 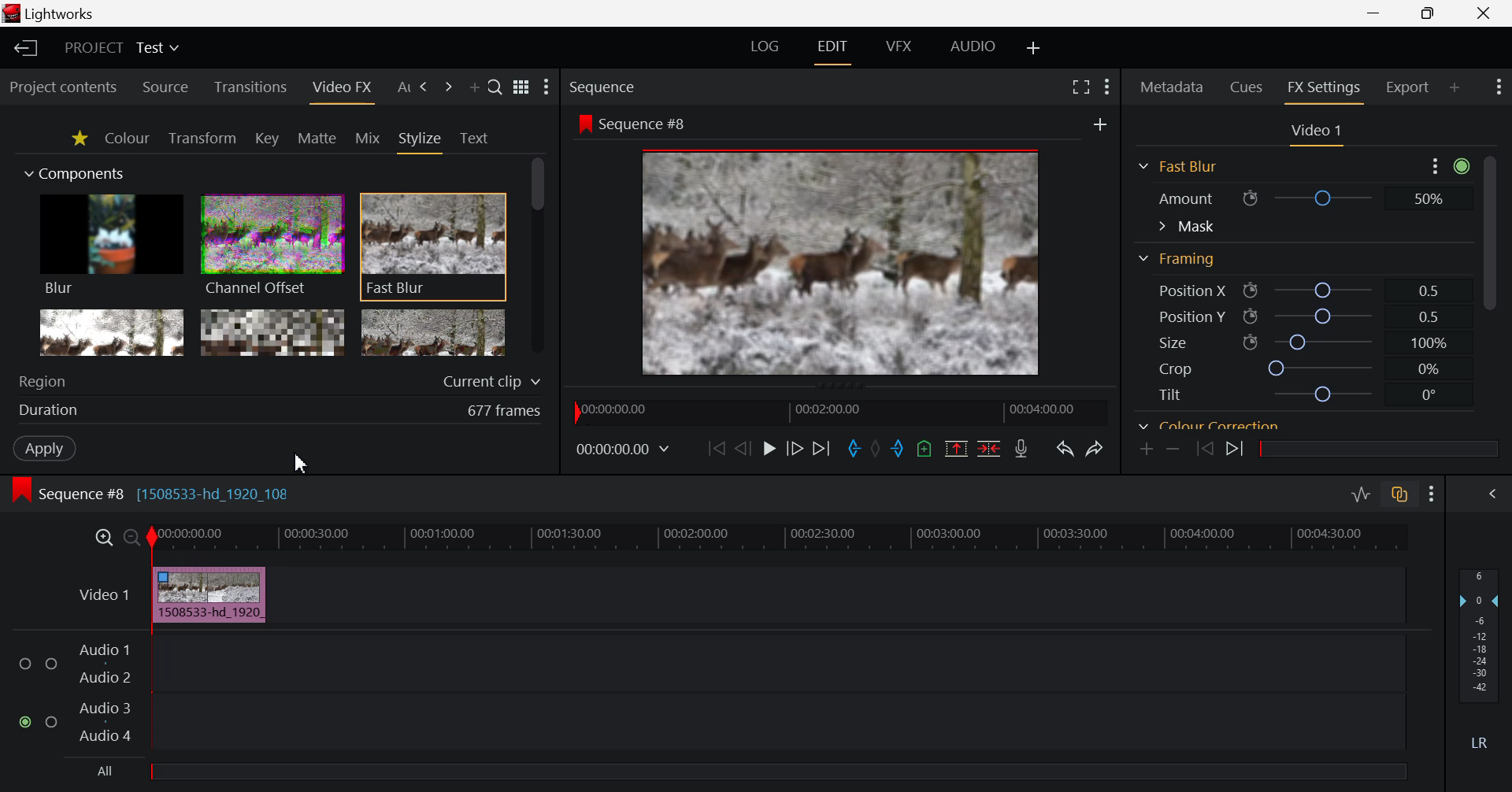 What do you see at coordinates (431, 335) in the screenshot?
I see `Posterize` at bounding box center [431, 335].